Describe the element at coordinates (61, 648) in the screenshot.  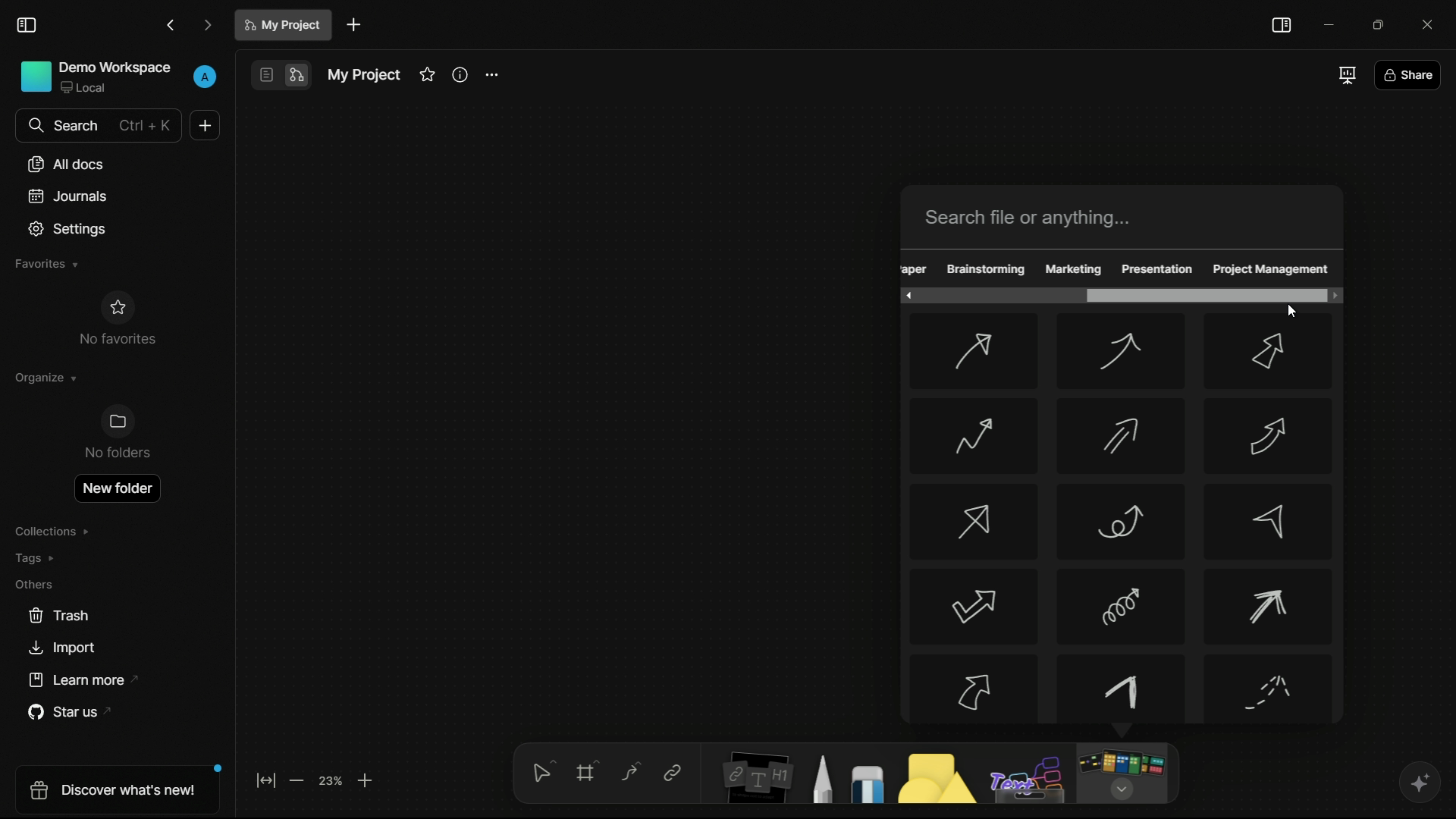
I see `import` at that location.